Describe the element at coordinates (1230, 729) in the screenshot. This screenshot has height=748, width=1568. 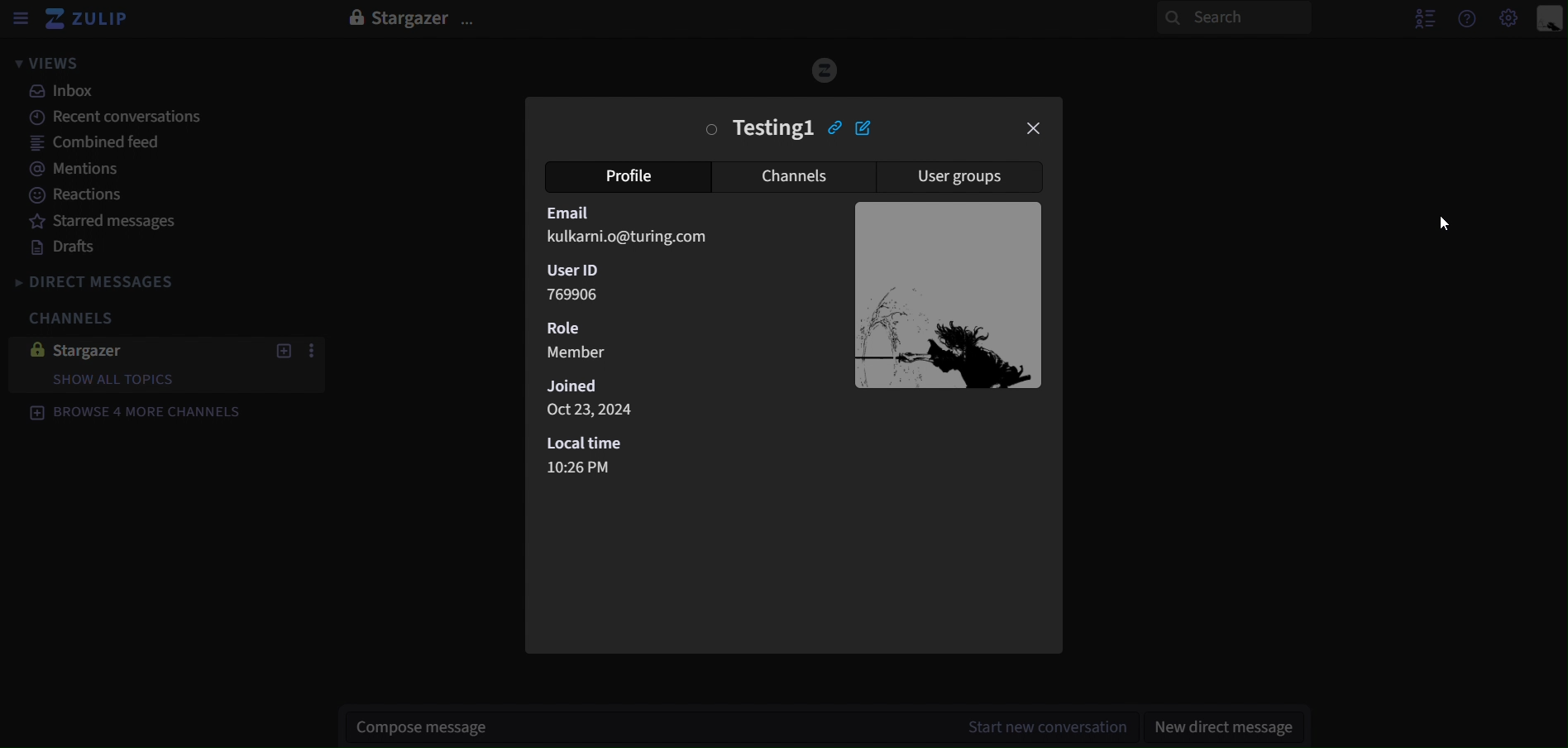
I see `new direct message`` at that location.